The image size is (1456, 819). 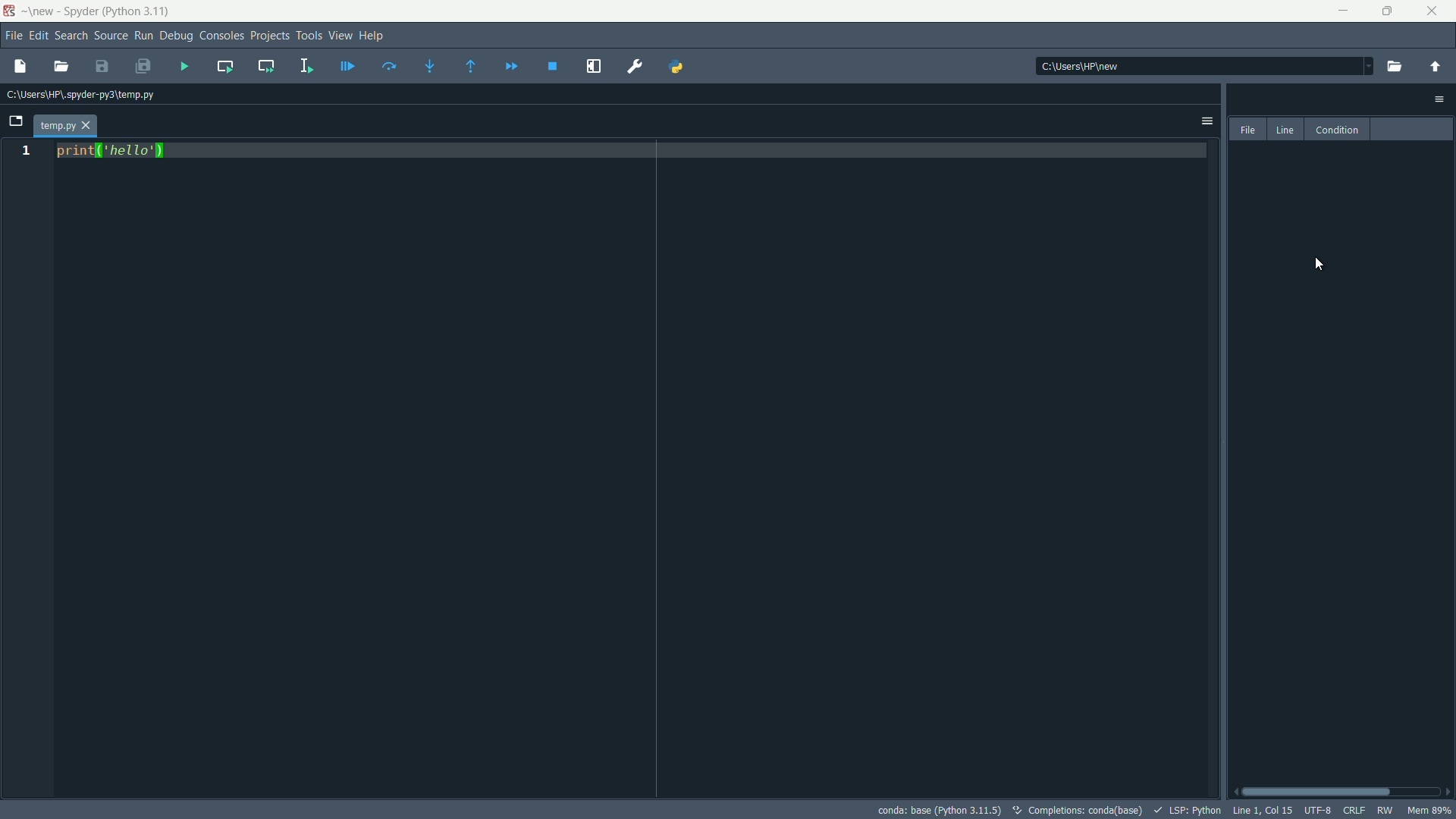 I want to click on memory usage, so click(x=1429, y=810).